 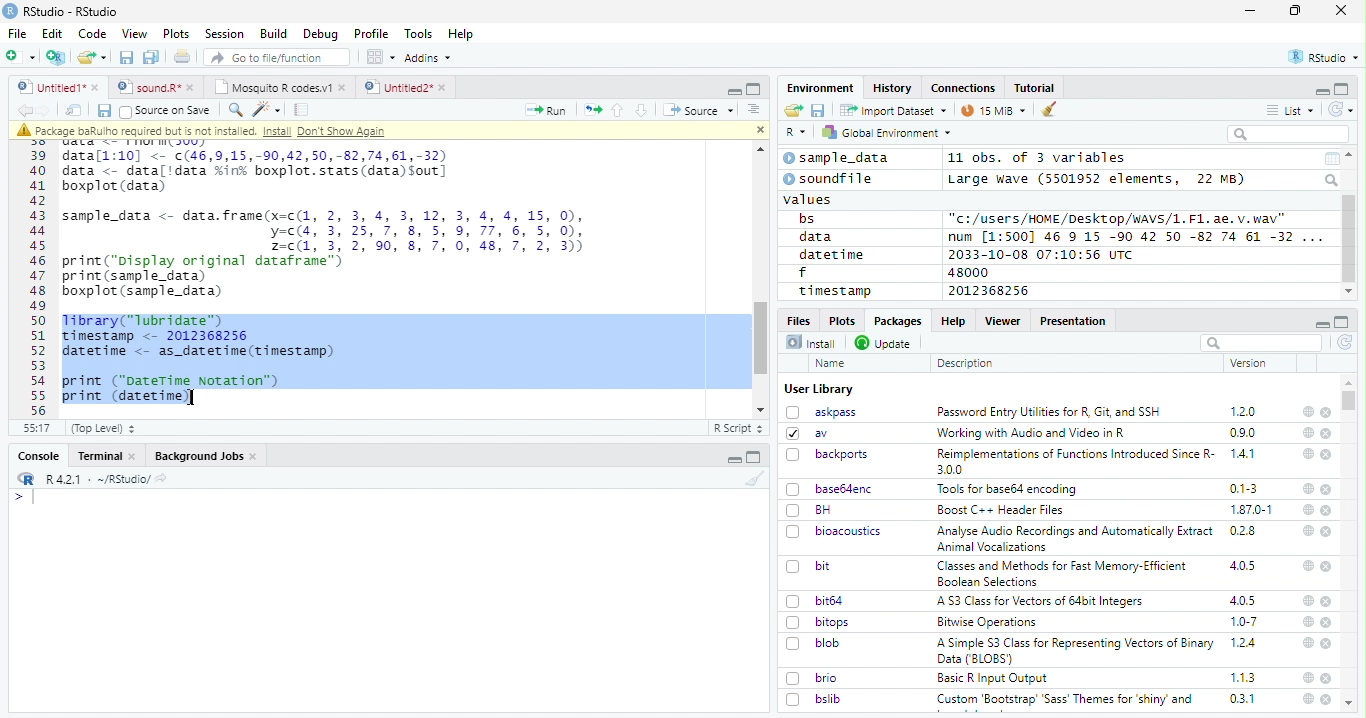 What do you see at coordinates (381, 57) in the screenshot?
I see `Workspace panes` at bounding box center [381, 57].